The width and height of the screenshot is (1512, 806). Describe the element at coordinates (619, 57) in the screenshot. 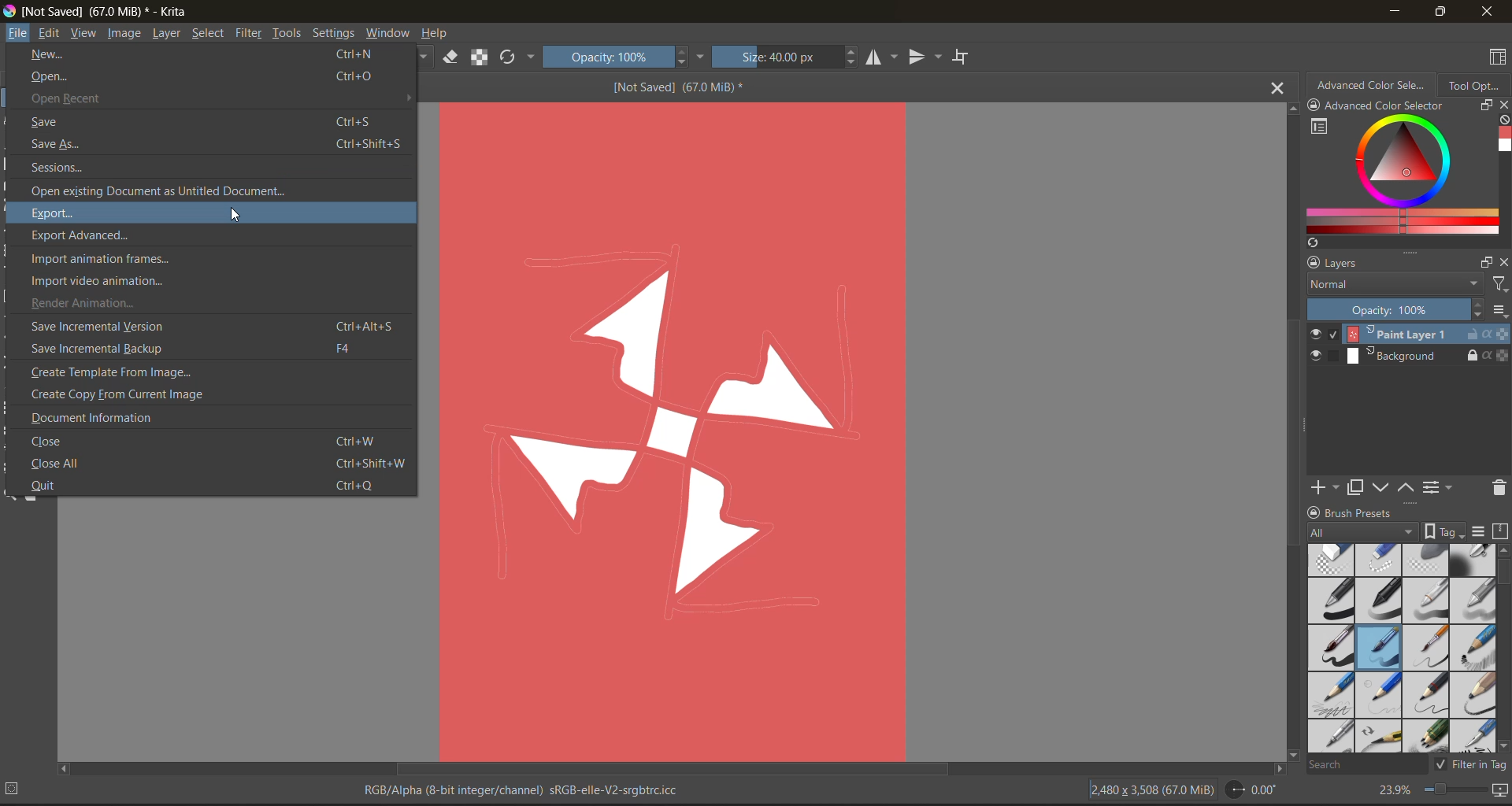

I see `opacity` at that location.